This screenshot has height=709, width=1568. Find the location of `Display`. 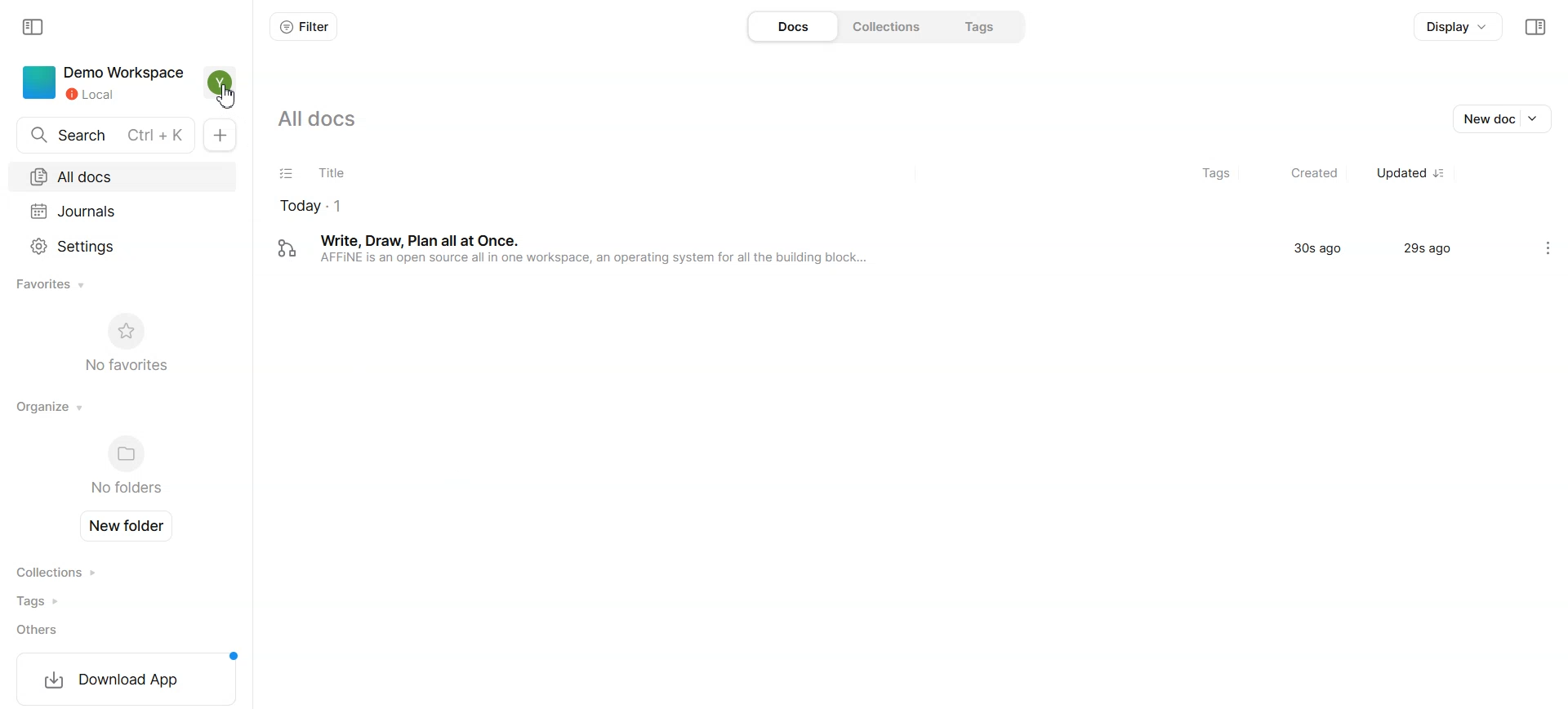

Display is located at coordinates (1455, 29).